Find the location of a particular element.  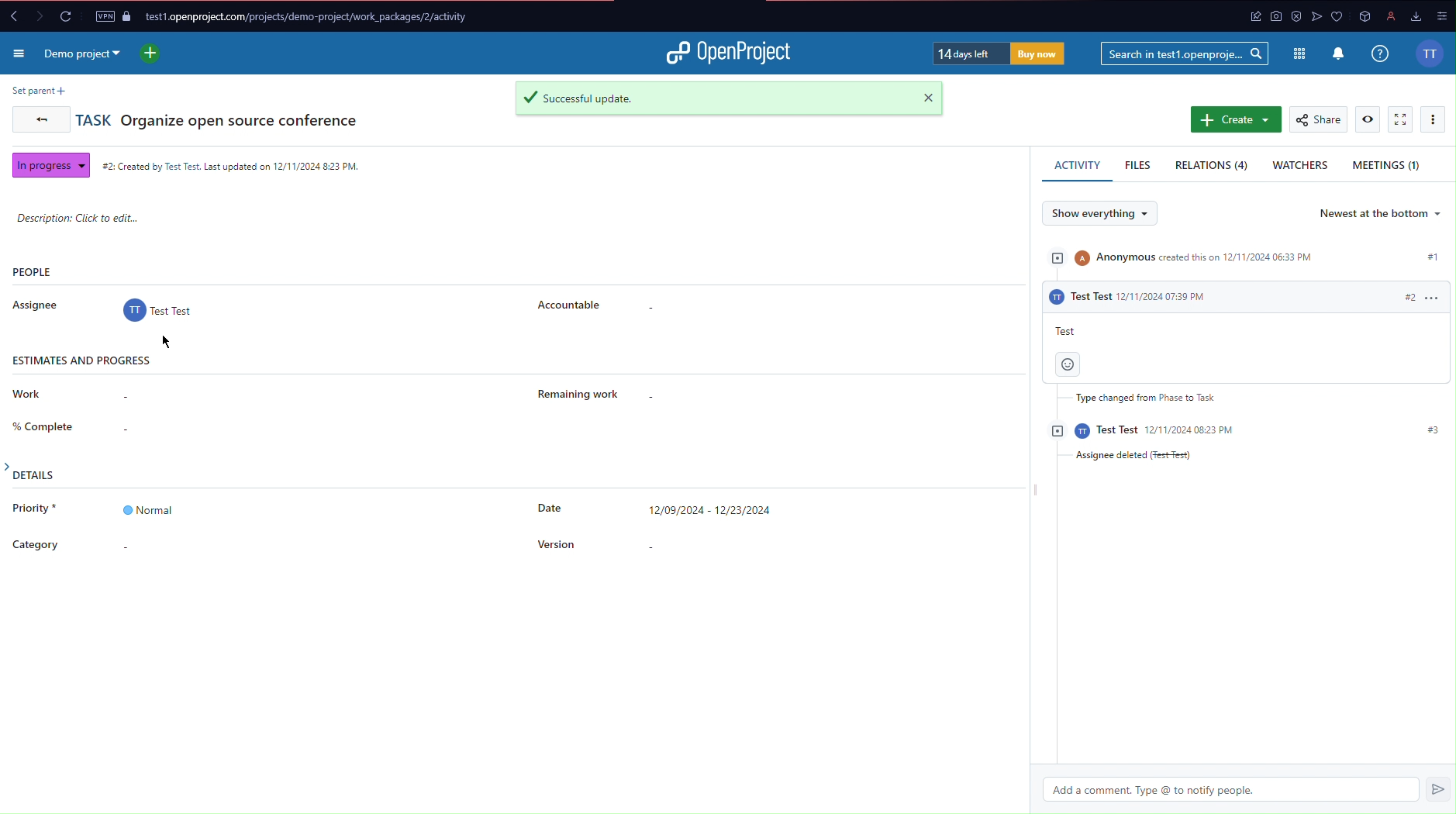

Cirspr is located at coordinates (167, 340).